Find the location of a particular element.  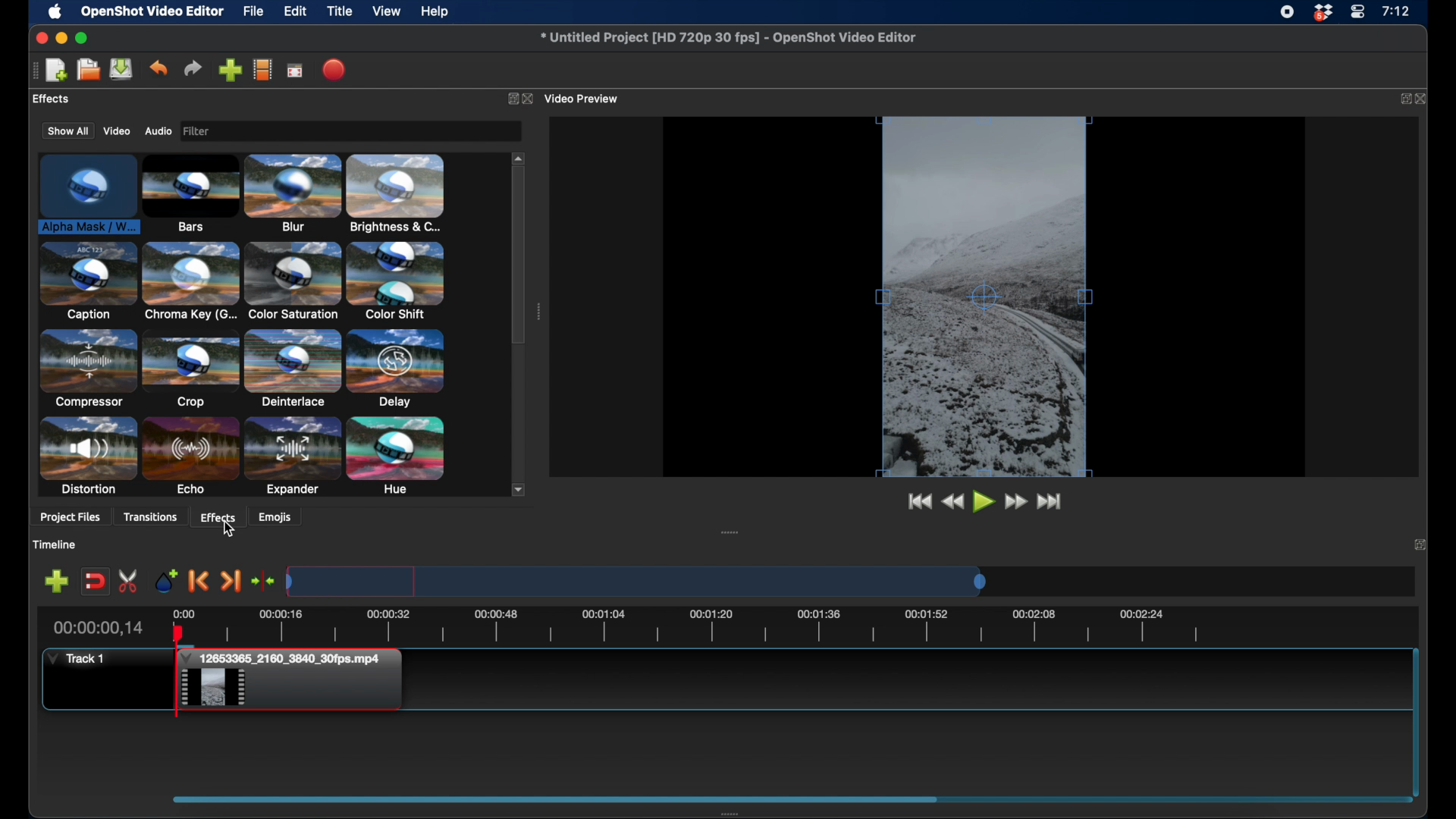

import files is located at coordinates (231, 70).